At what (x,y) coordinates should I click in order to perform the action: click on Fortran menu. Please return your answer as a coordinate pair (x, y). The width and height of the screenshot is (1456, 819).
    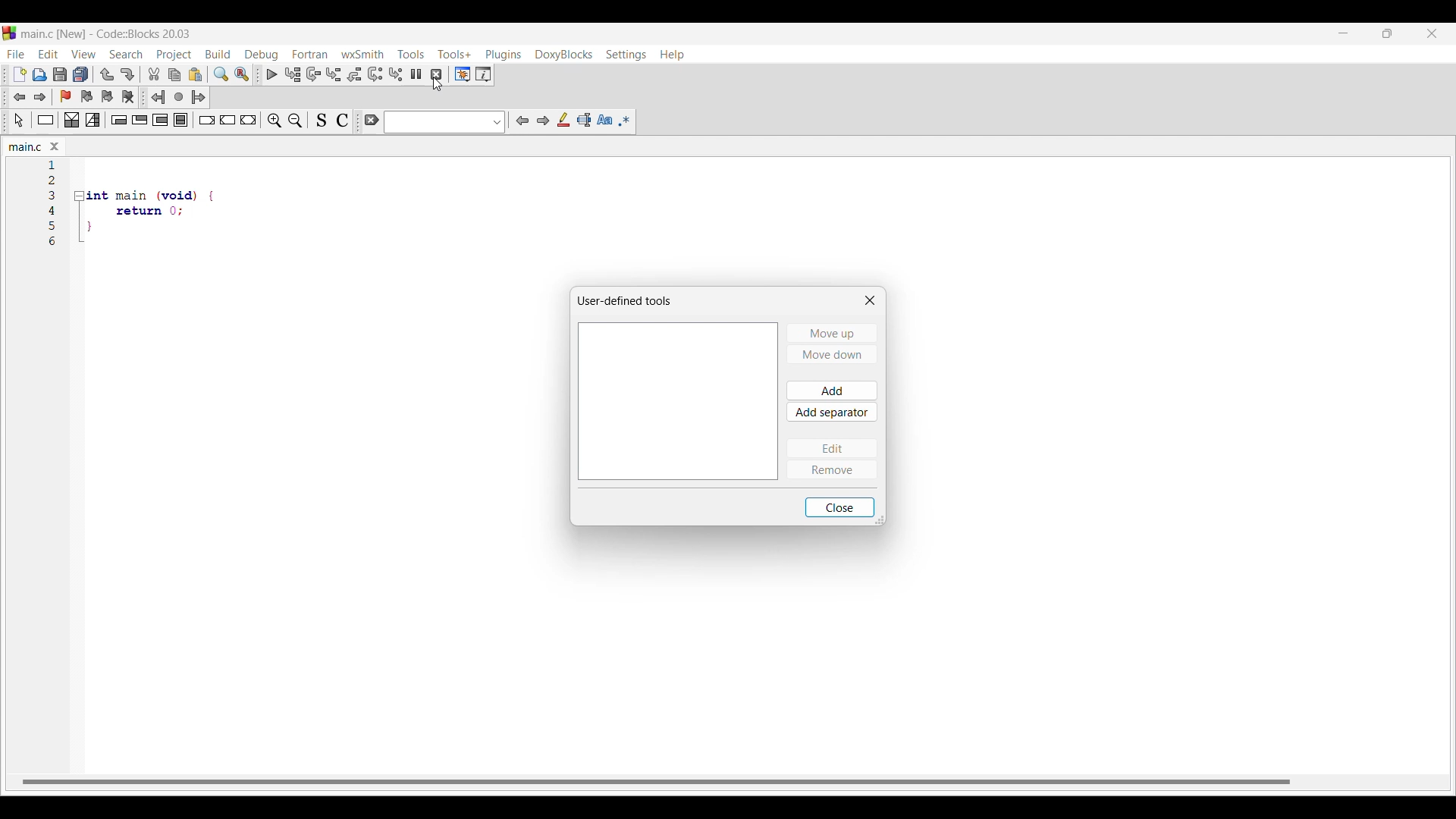
    Looking at the image, I should click on (310, 55).